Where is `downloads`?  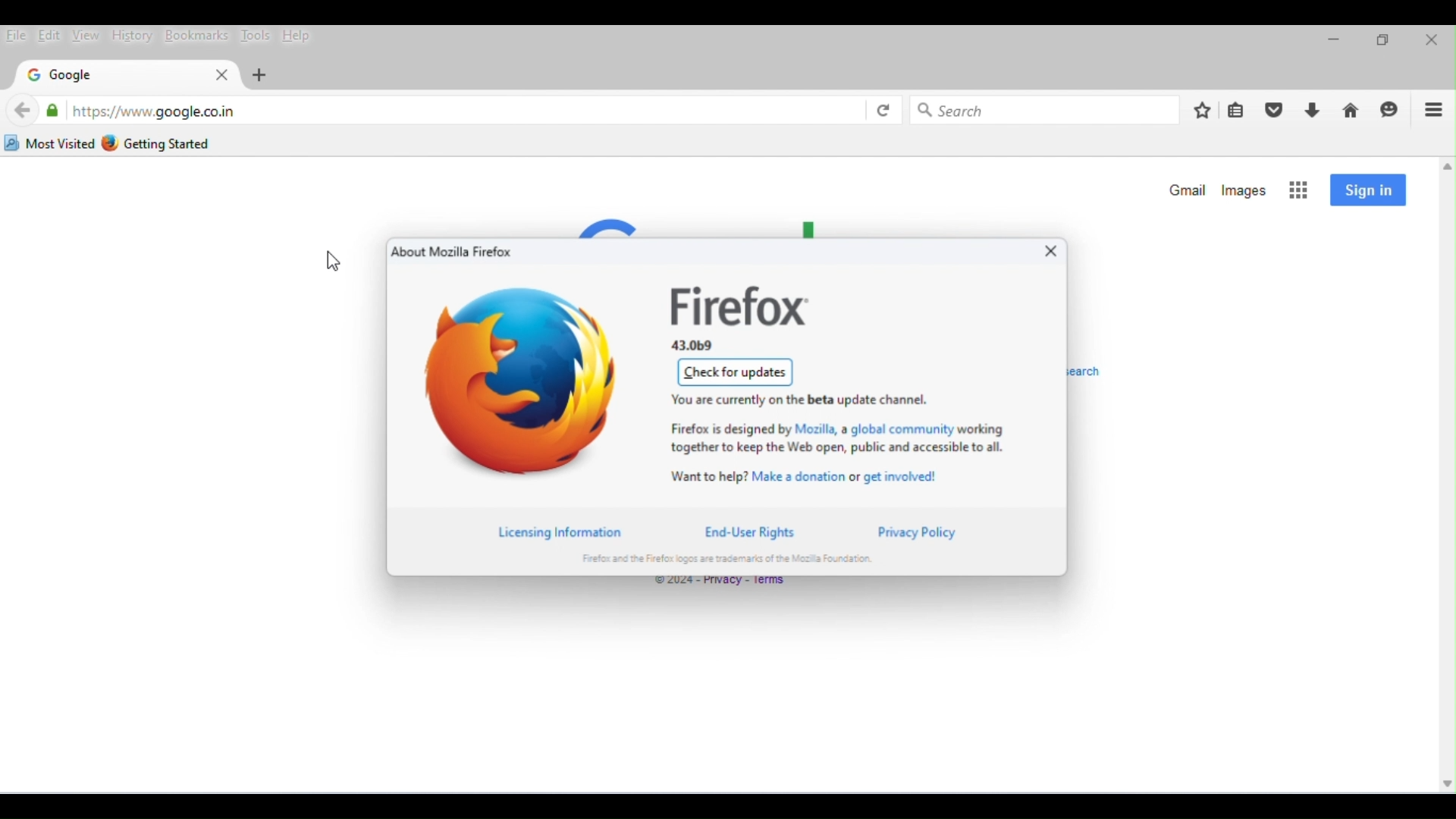
downloads is located at coordinates (1313, 111).